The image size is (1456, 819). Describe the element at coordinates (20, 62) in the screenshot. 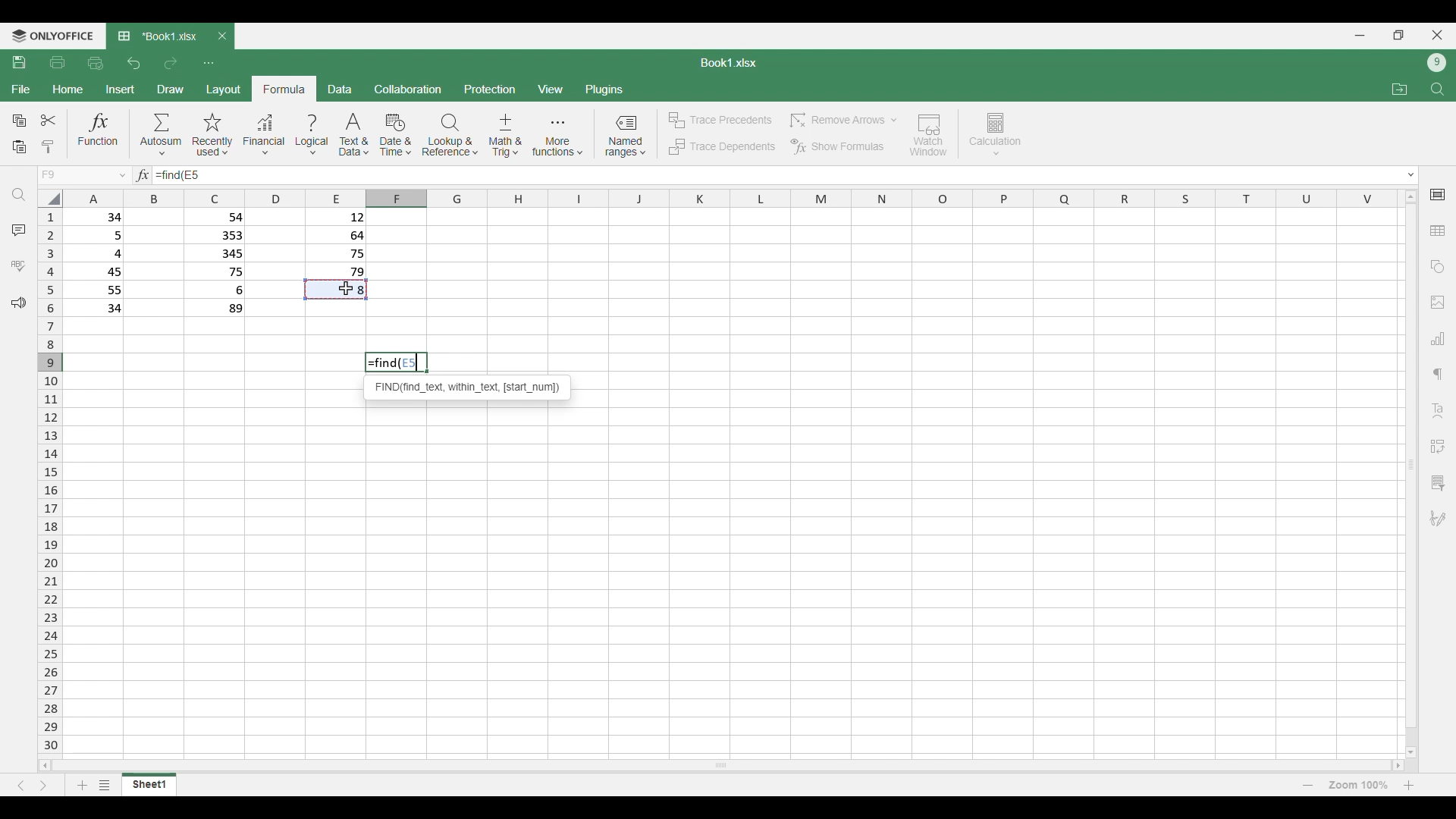

I see `Save` at that location.